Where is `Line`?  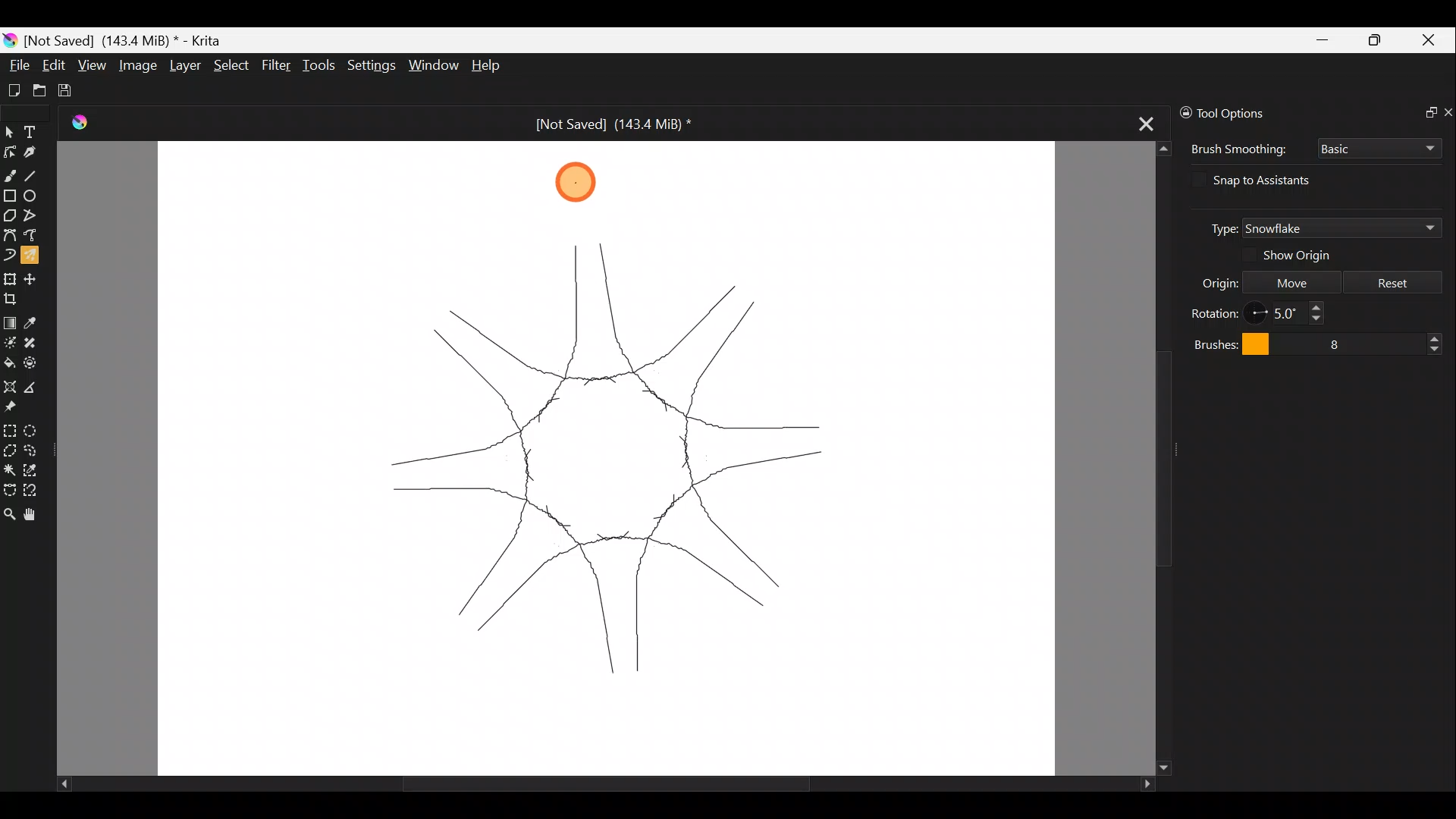 Line is located at coordinates (33, 173).